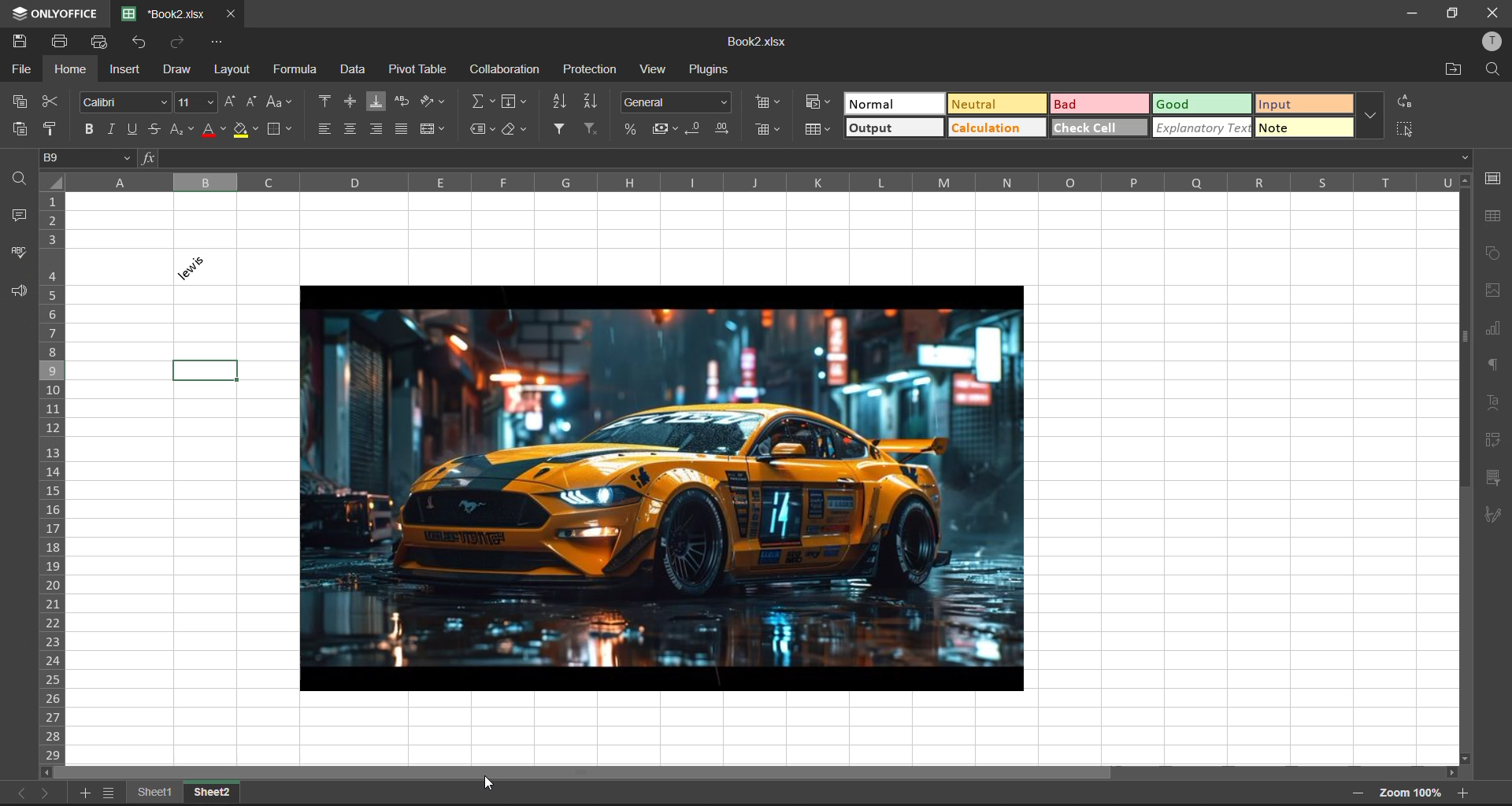 The width and height of the screenshot is (1512, 806). Describe the element at coordinates (248, 131) in the screenshot. I see `fill color` at that location.